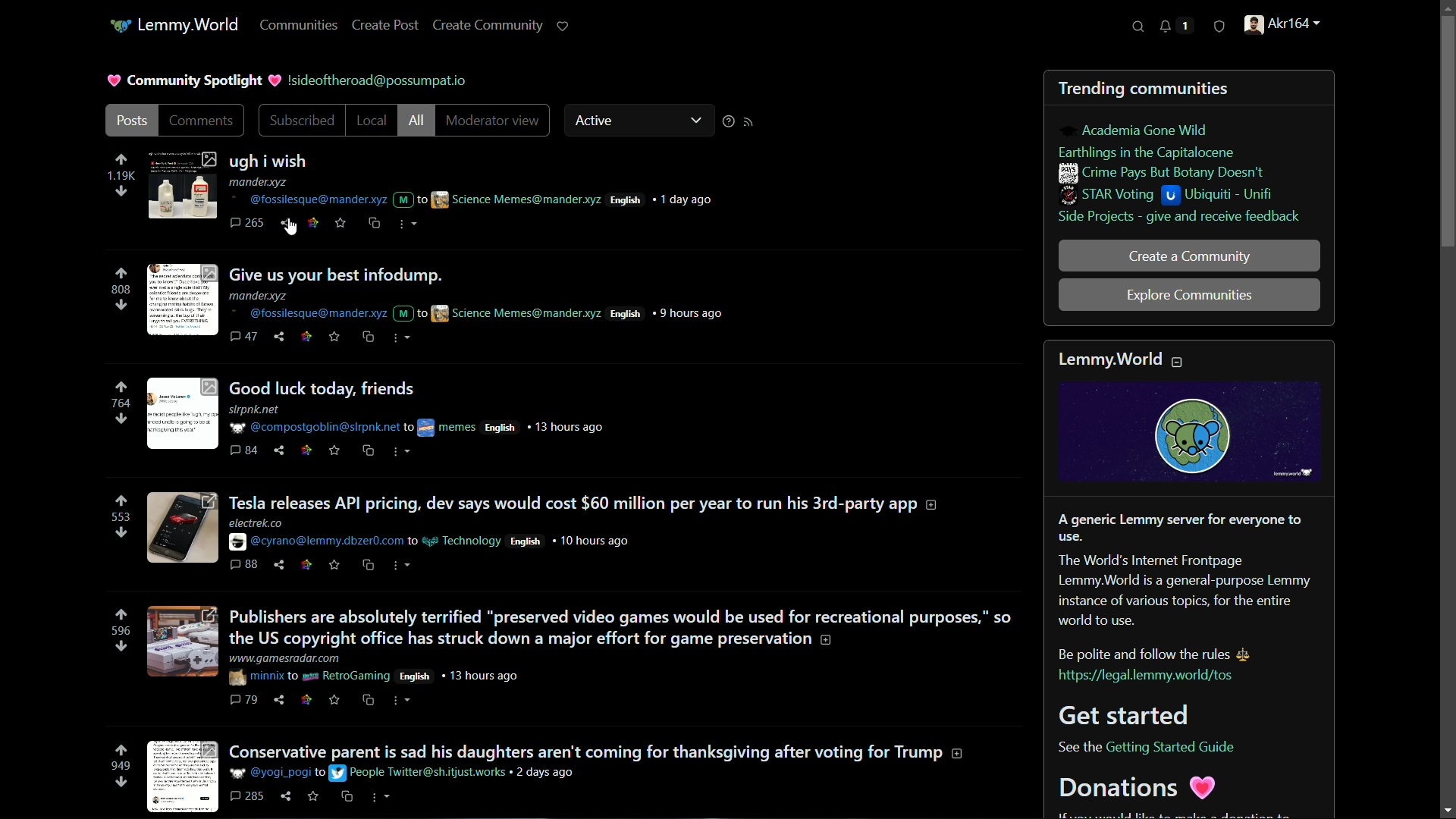  Describe the element at coordinates (281, 700) in the screenshot. I see `share` at that location.